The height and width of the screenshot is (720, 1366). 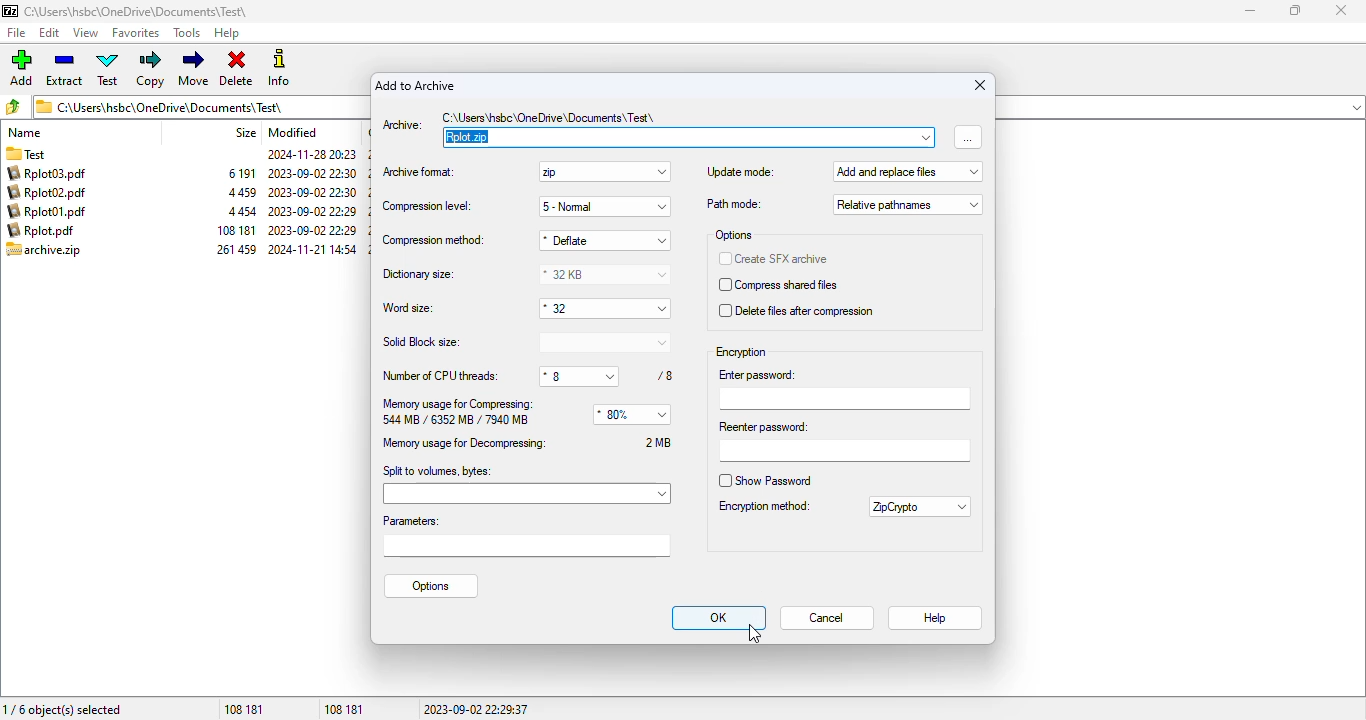 What do you see at coordinates (773, 259) in the screenshot?
I see `create SFX archive` at bounding box center [773, 259].